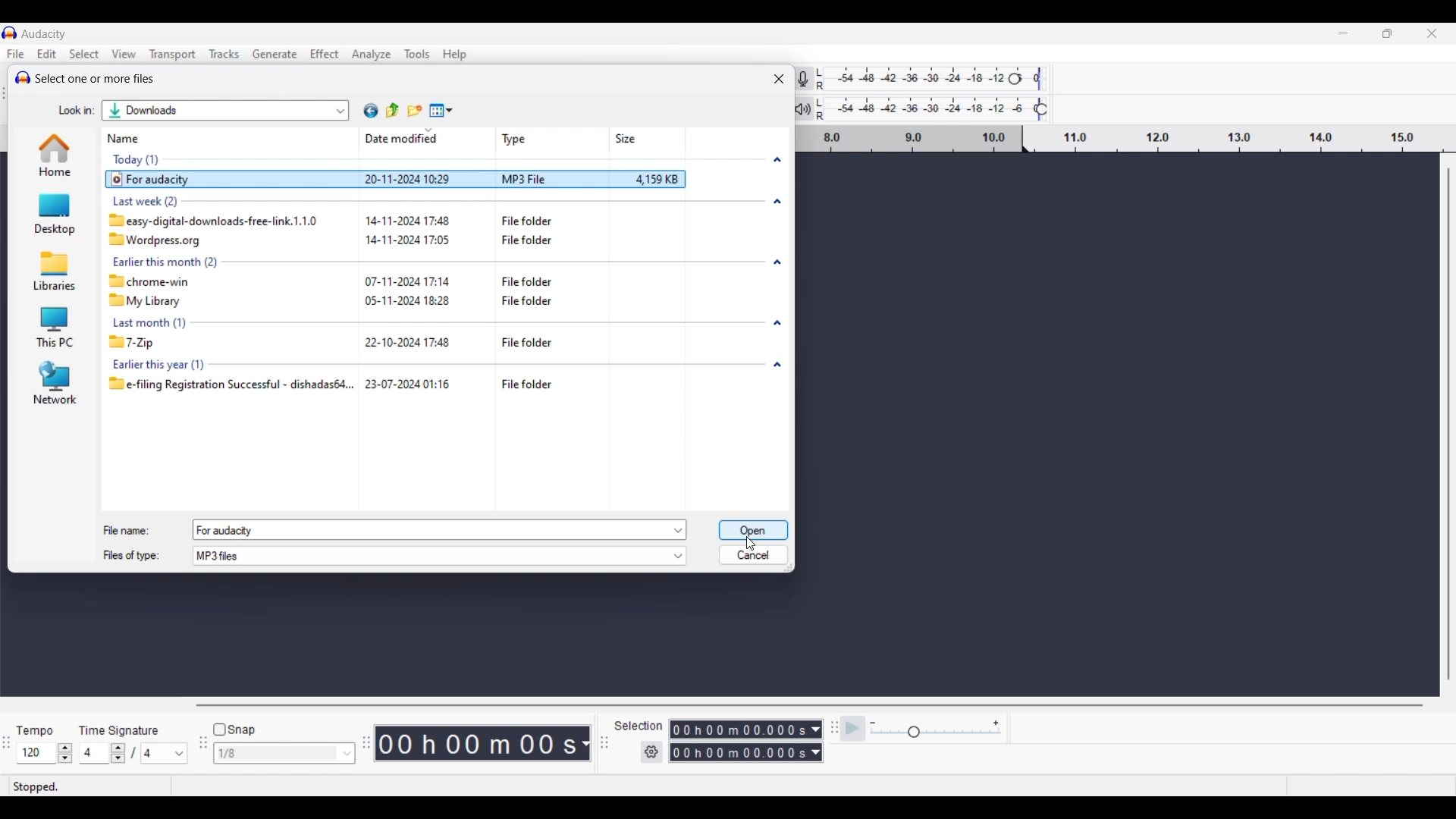  I want to click on File name options, so click(679, 530).